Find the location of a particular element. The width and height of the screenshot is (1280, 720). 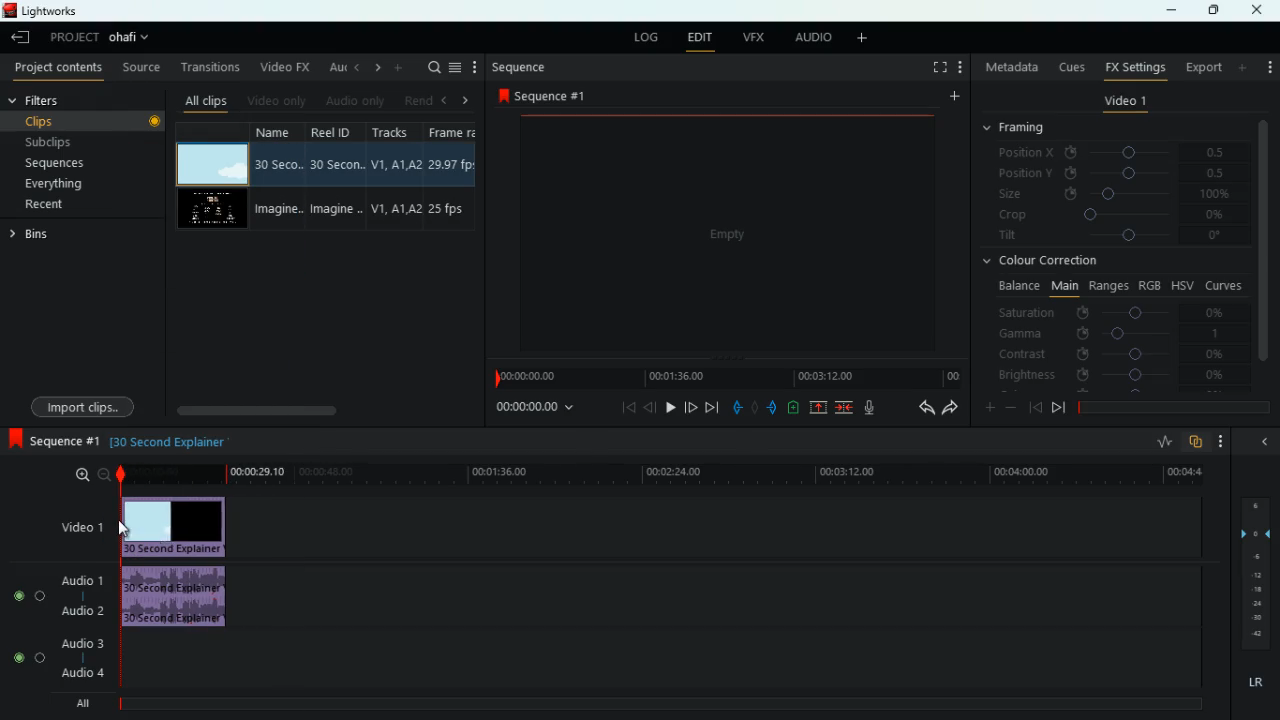

time is located at coordinates (538, 409).